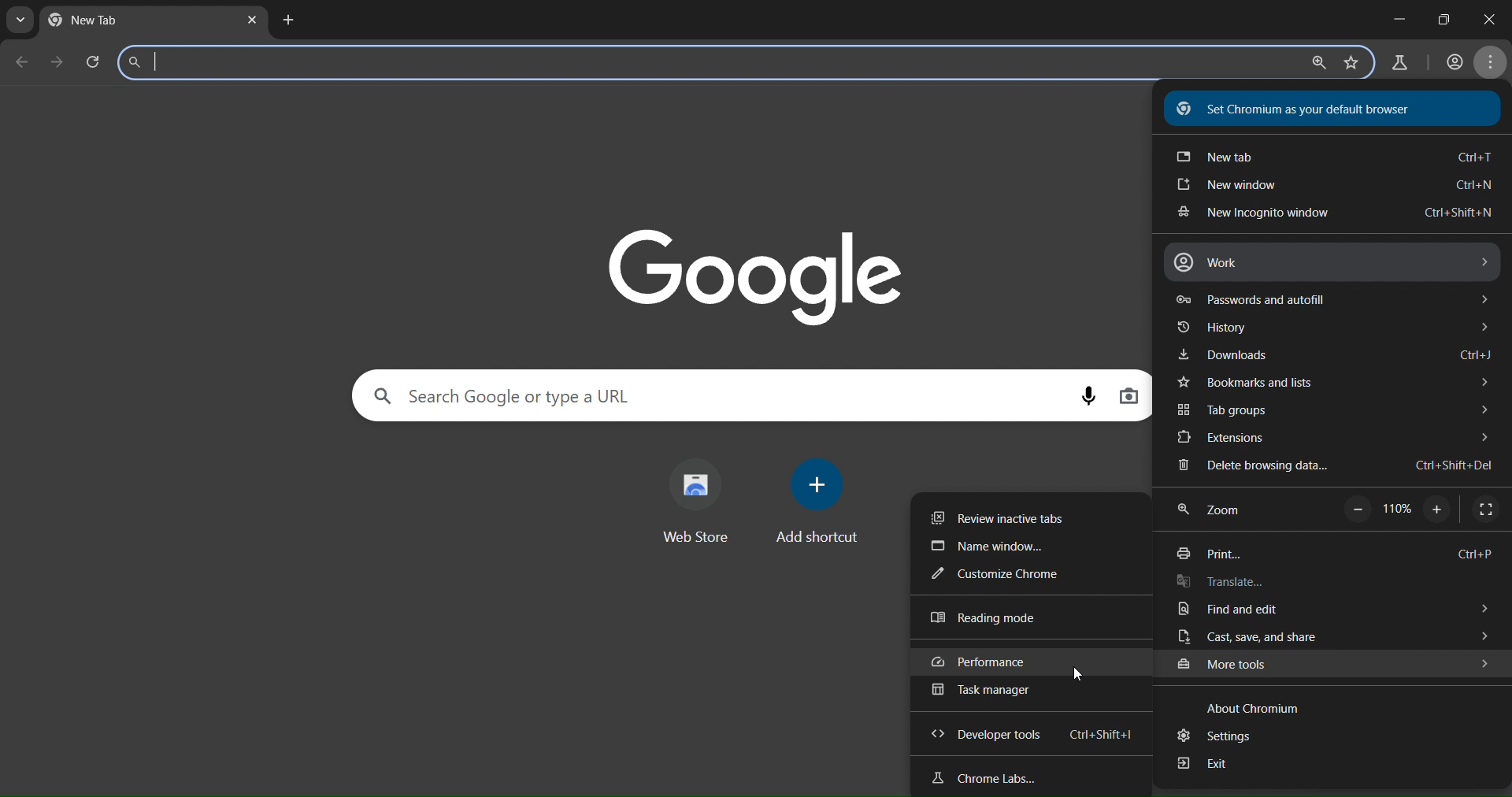 Image resolution: width=1512 pixels, height=797 pixels. I want to click on new incognirto window Ctrl+Shift+N, so click(1331, 215).